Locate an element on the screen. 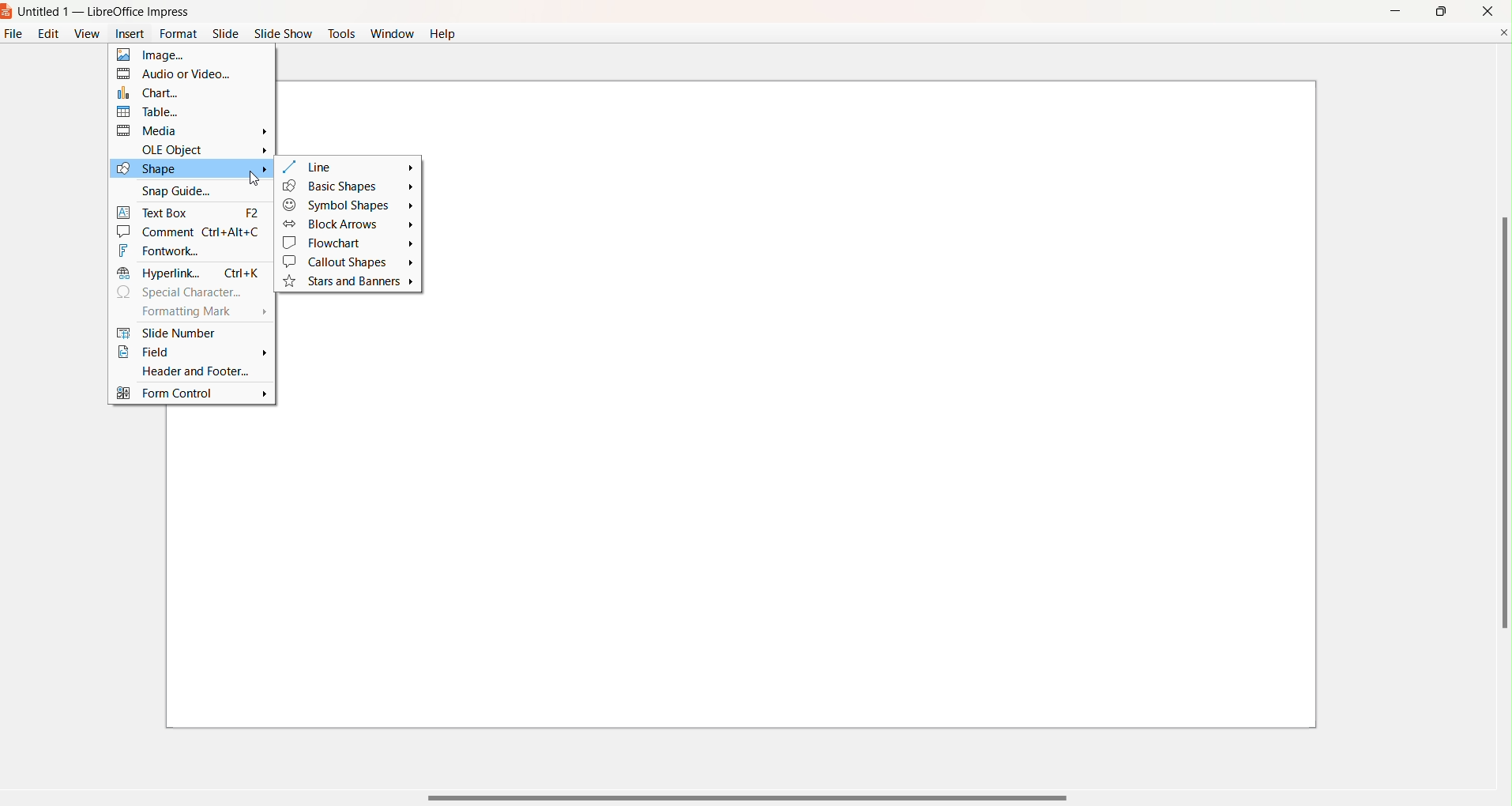  Slide is located at coordinates (226, 34).